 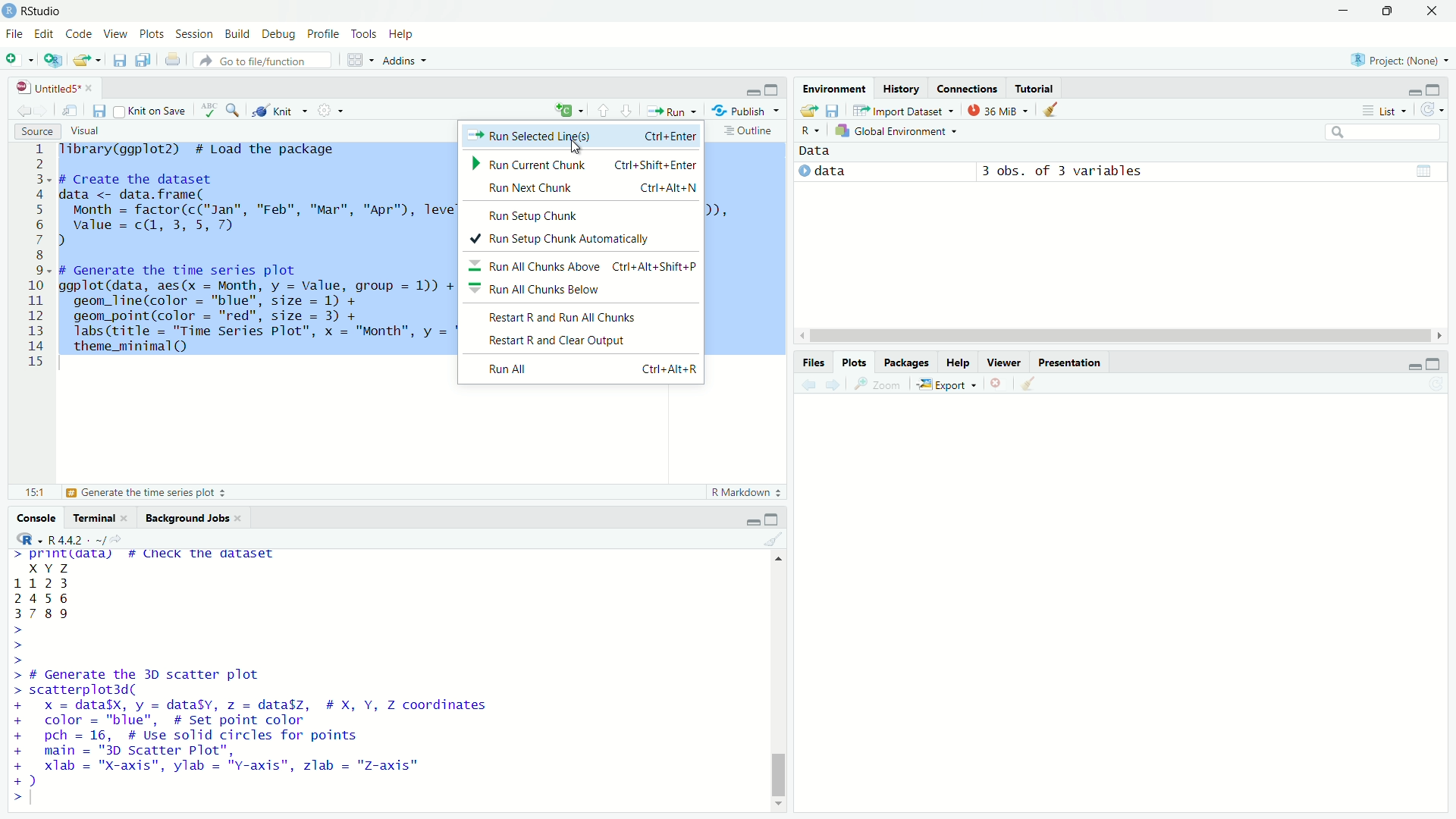 What do you see at coordinates (1423, 170) in the screenshot?
I see `table` at bounding box center [1423, 170].